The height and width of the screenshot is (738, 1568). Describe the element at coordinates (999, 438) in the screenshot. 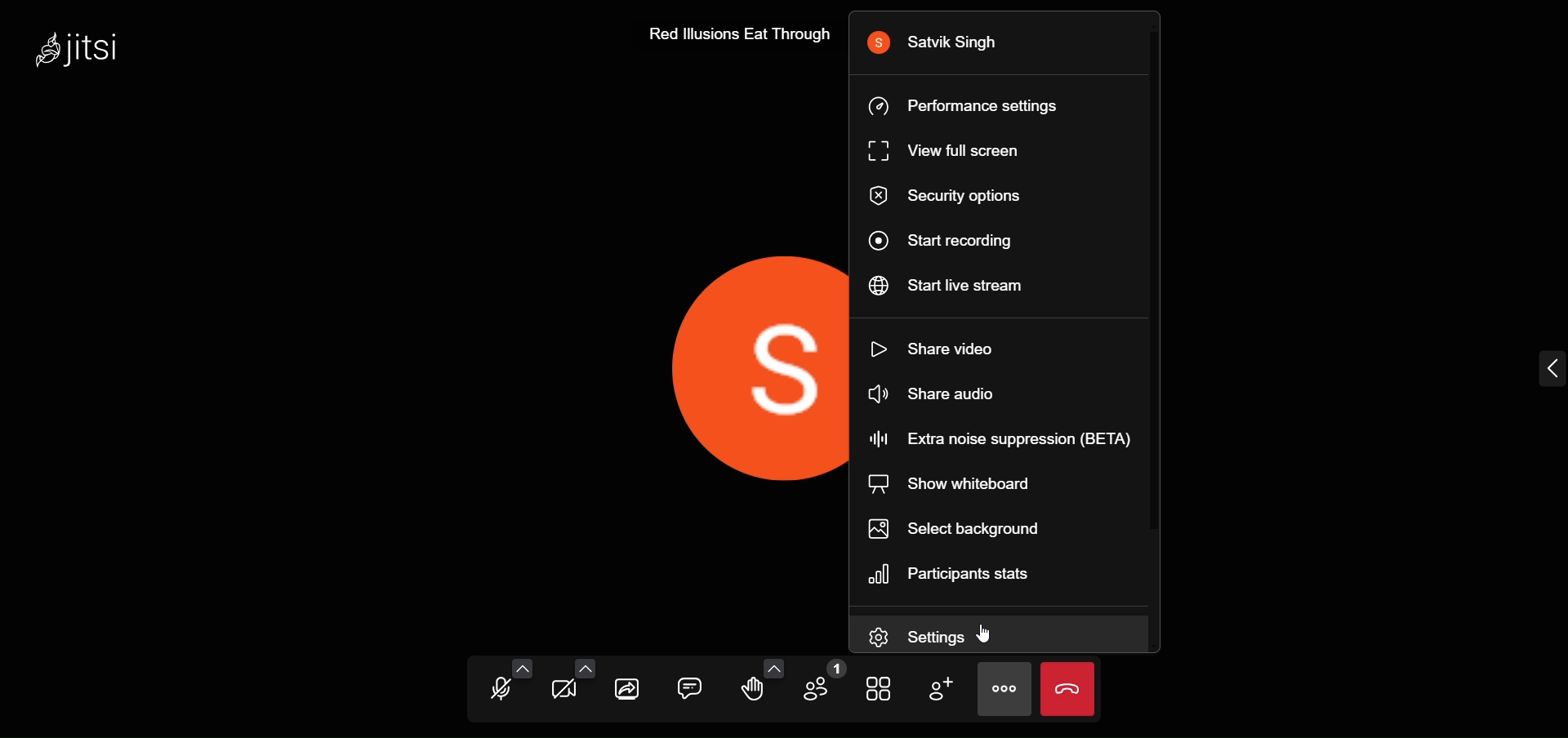

I see `extra noise suppression (beta)` at that location.